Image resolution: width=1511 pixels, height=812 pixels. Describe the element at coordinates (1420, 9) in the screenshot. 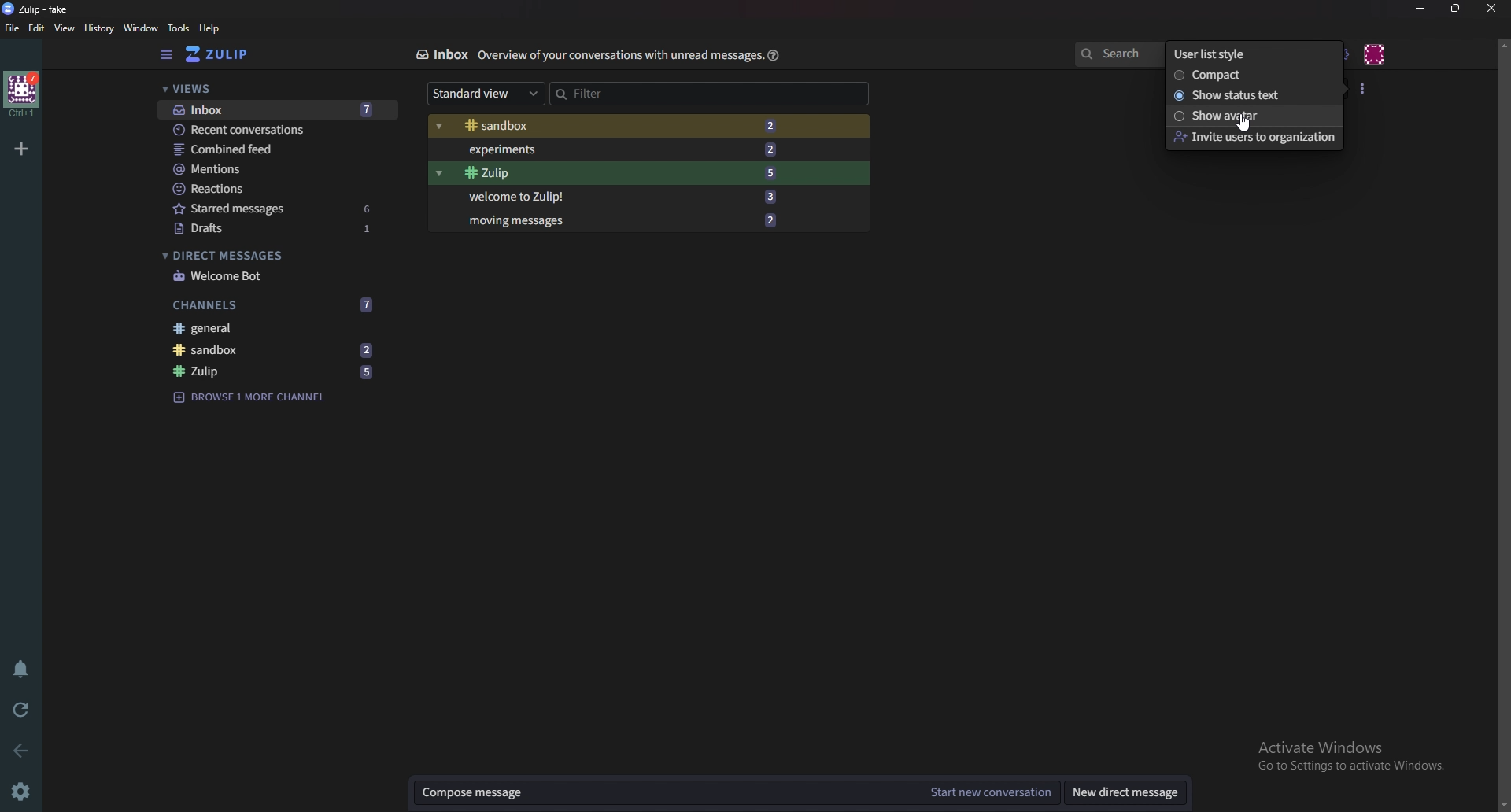

I see `Minimize` at that location.